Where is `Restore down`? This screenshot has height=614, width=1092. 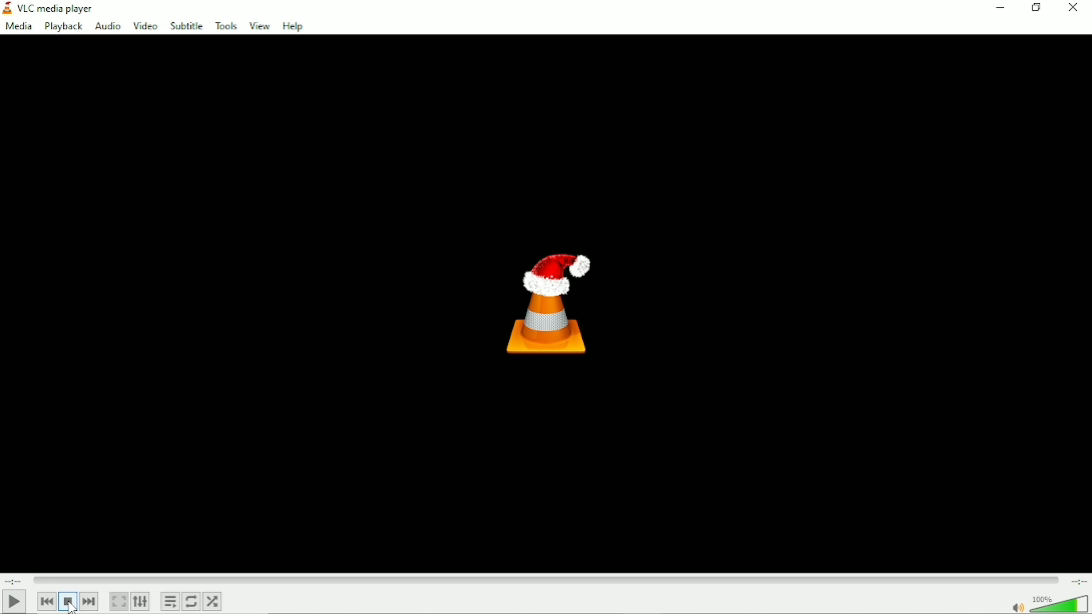
Restore down is located at coordinates (1035, 9).